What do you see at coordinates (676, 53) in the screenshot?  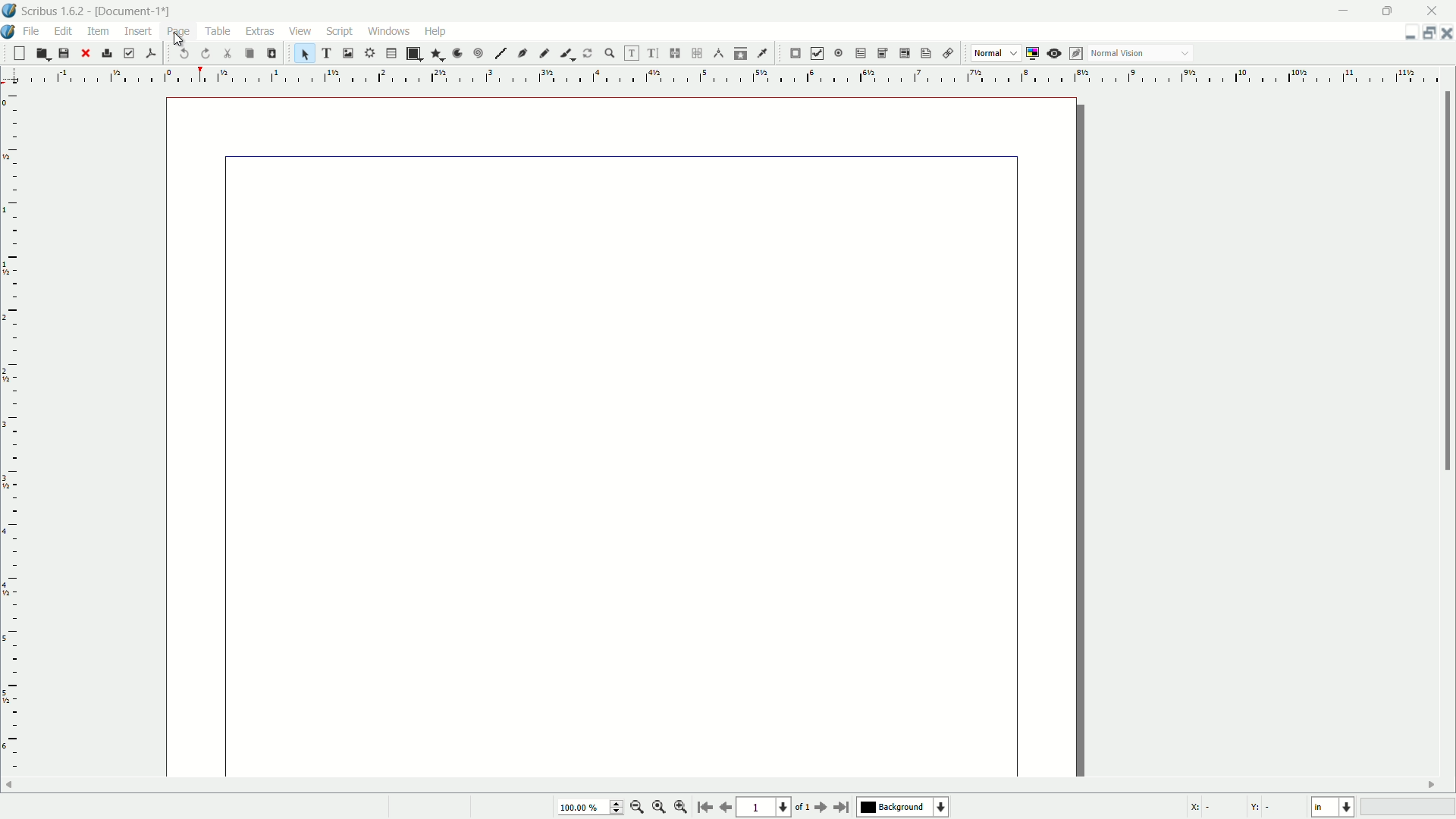 I see `link text frames` at bounding box center [676, 53].